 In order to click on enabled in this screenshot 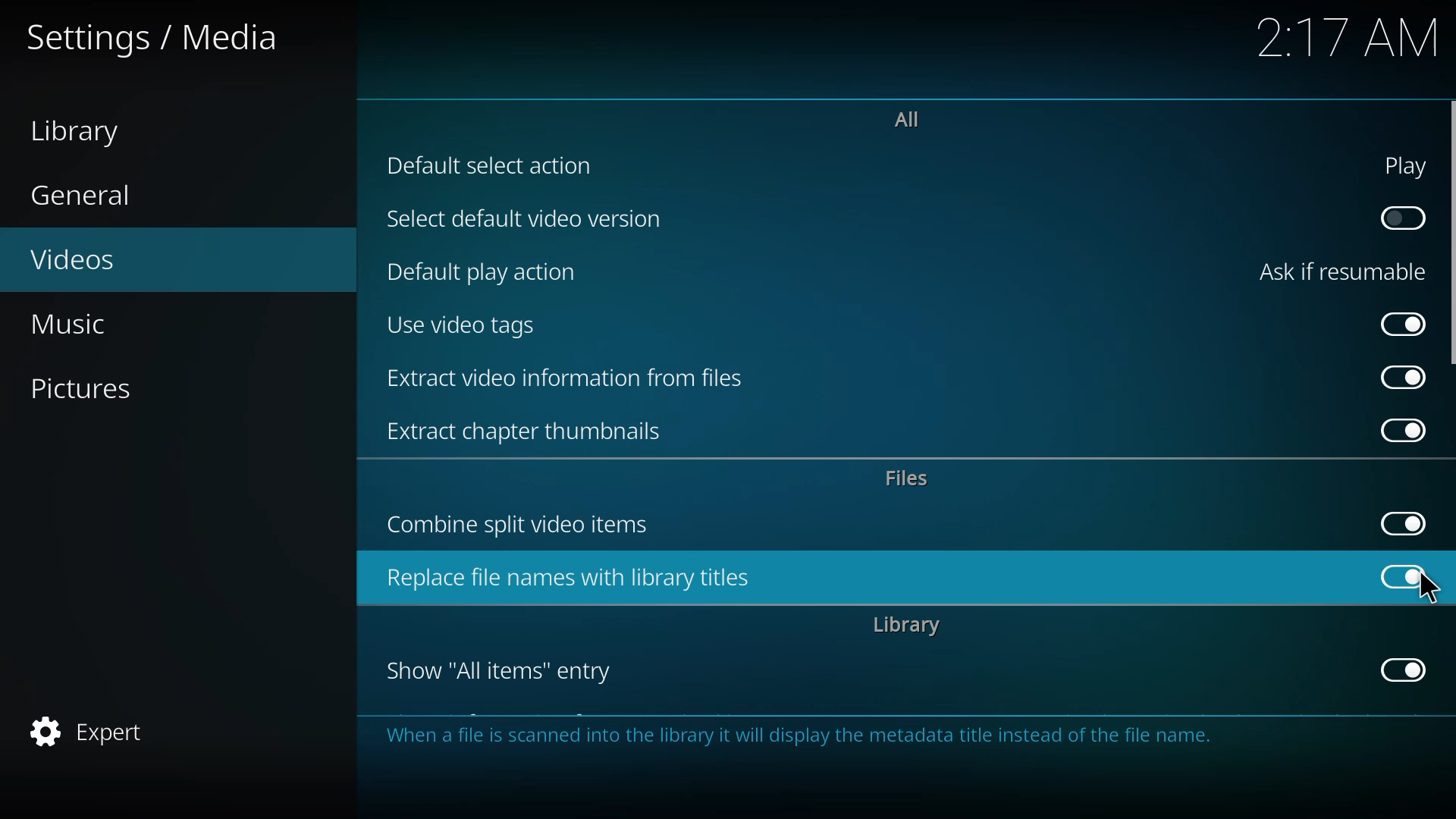, I will do `click(1394, 322)`.